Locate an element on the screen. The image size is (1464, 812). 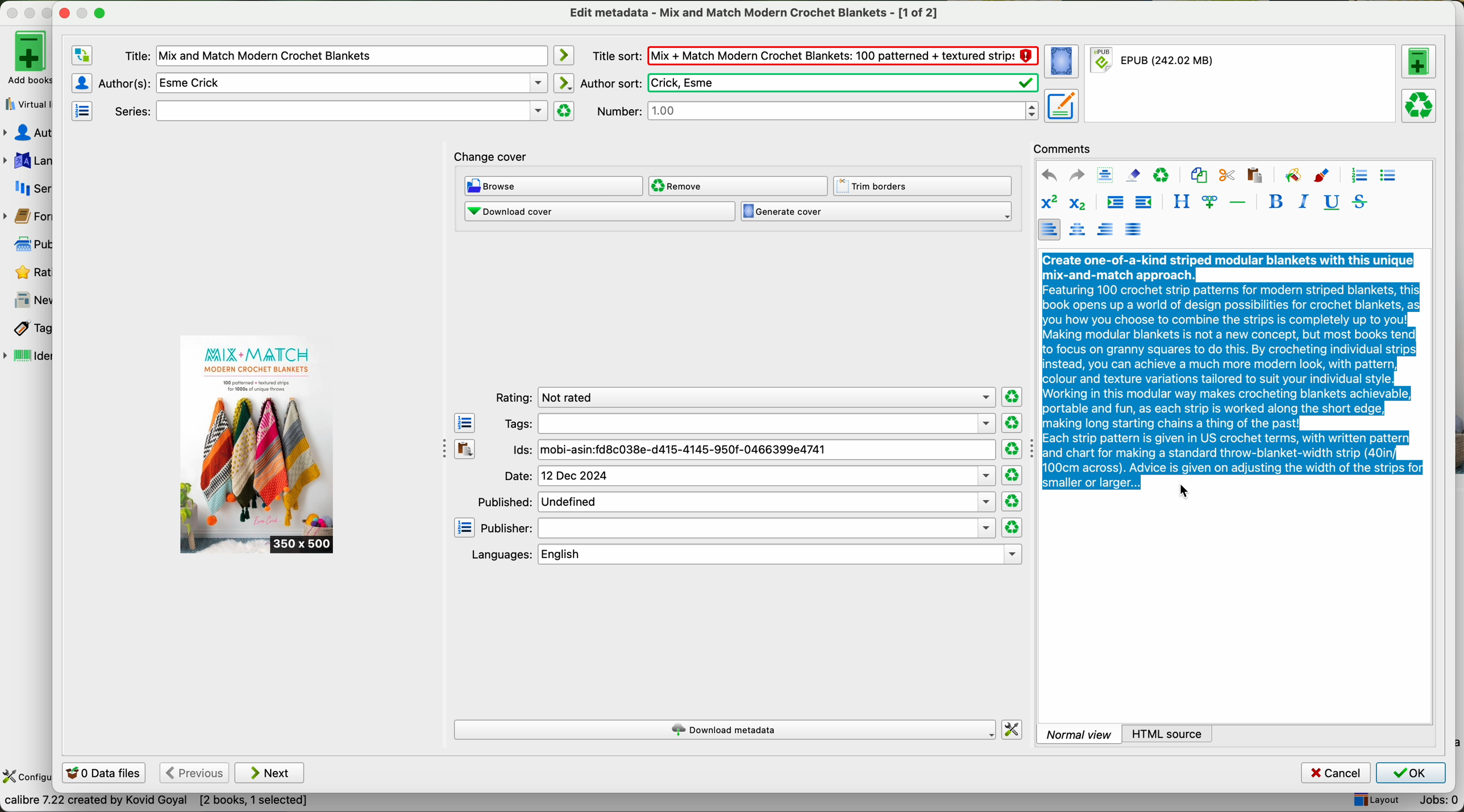
cancel is located at coordinates (1337, 773).